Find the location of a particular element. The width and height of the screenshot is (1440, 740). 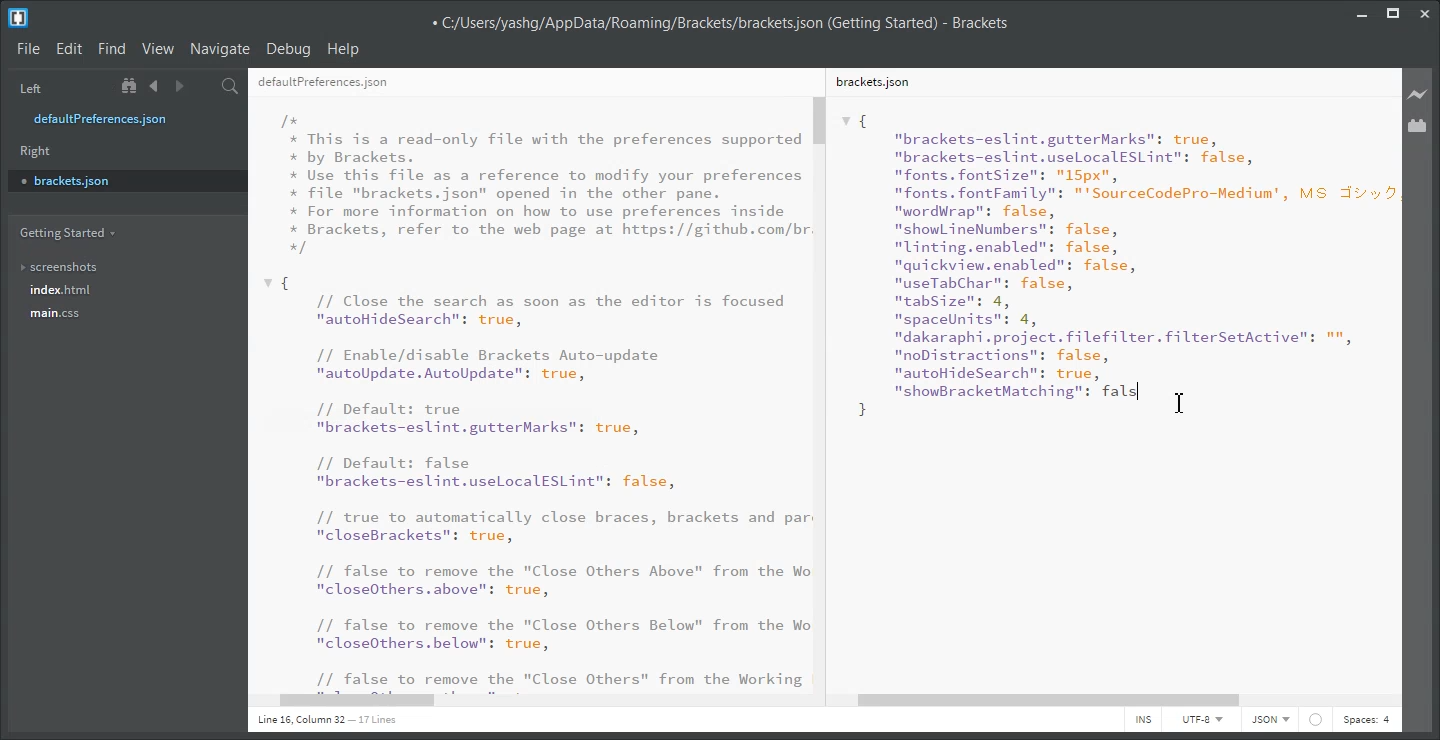

defaultPreferences.json is located at coordinates (323, 83).